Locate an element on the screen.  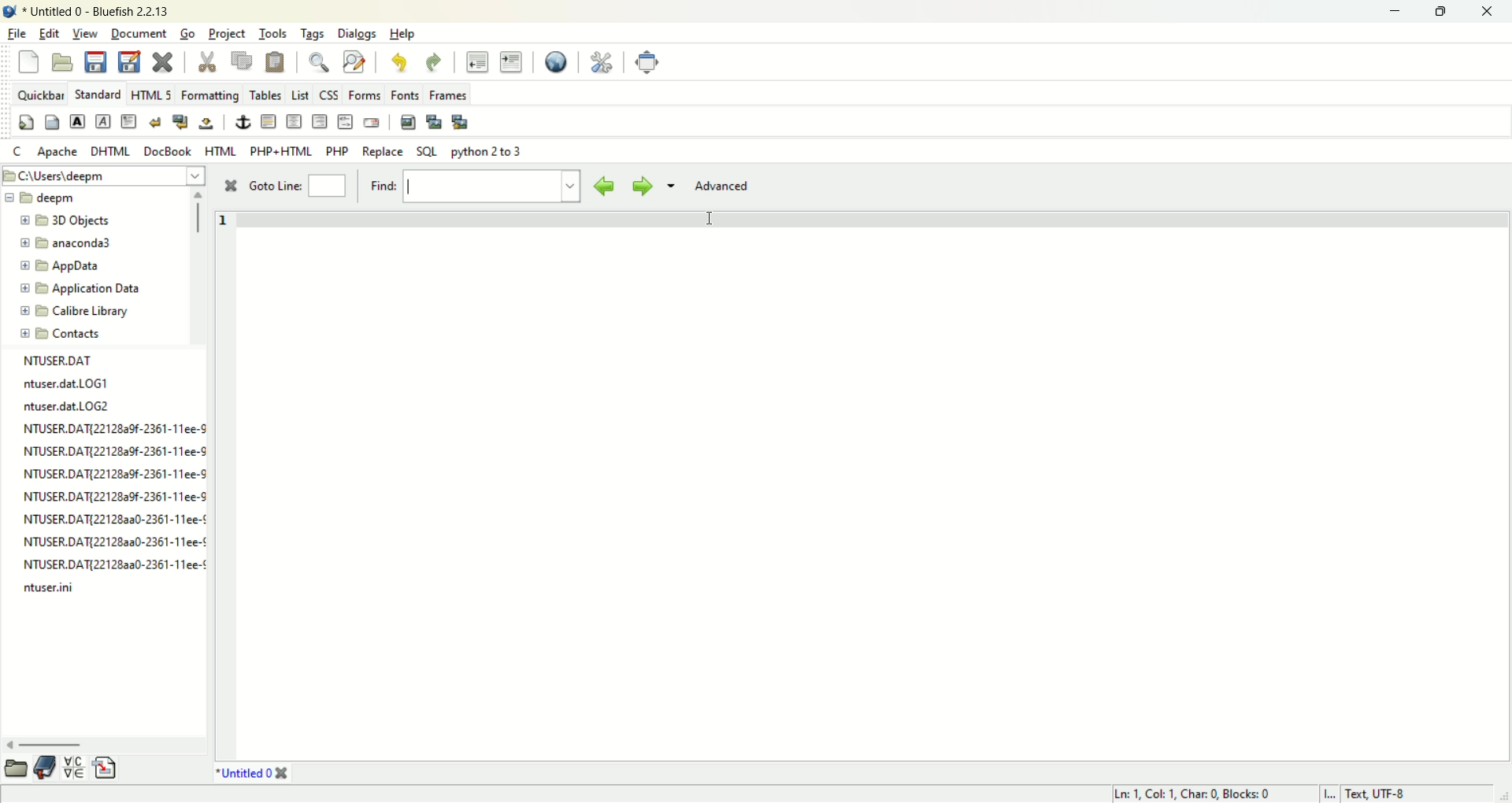
C is located at coordinates (17, 151).